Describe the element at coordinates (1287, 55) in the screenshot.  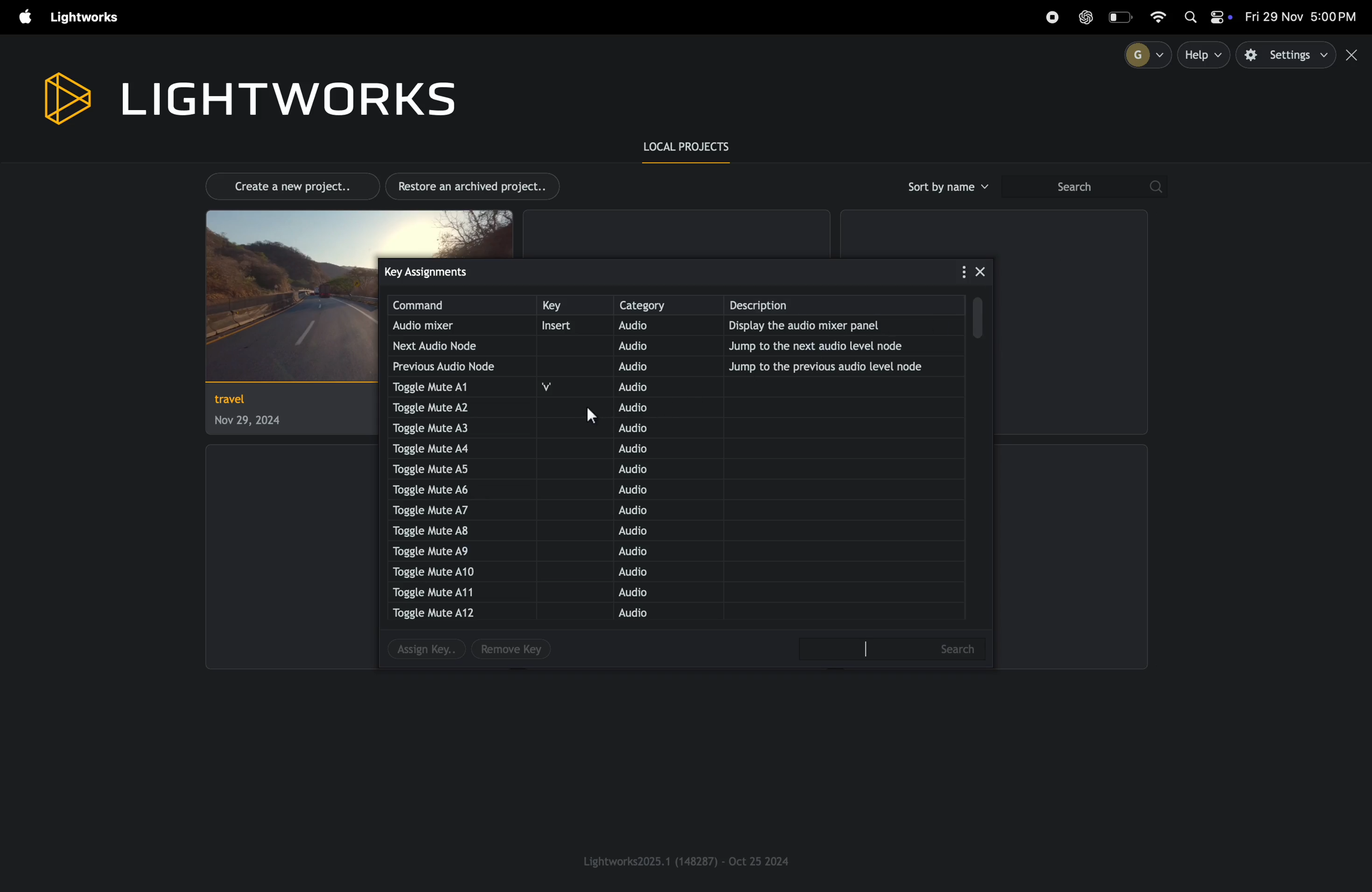
I see `settings` at that location.